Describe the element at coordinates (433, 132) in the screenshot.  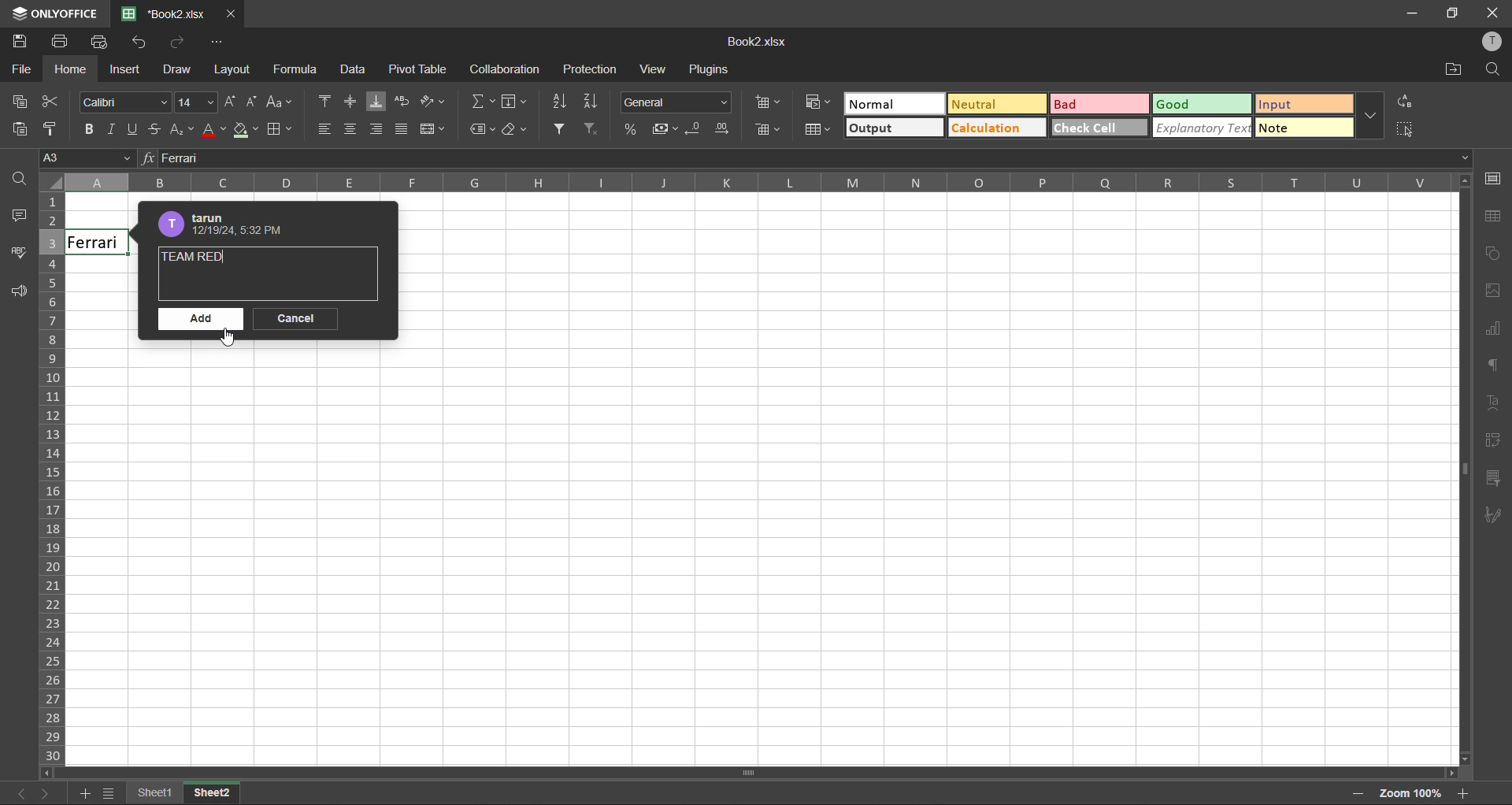
I see `merge and center` at that location.